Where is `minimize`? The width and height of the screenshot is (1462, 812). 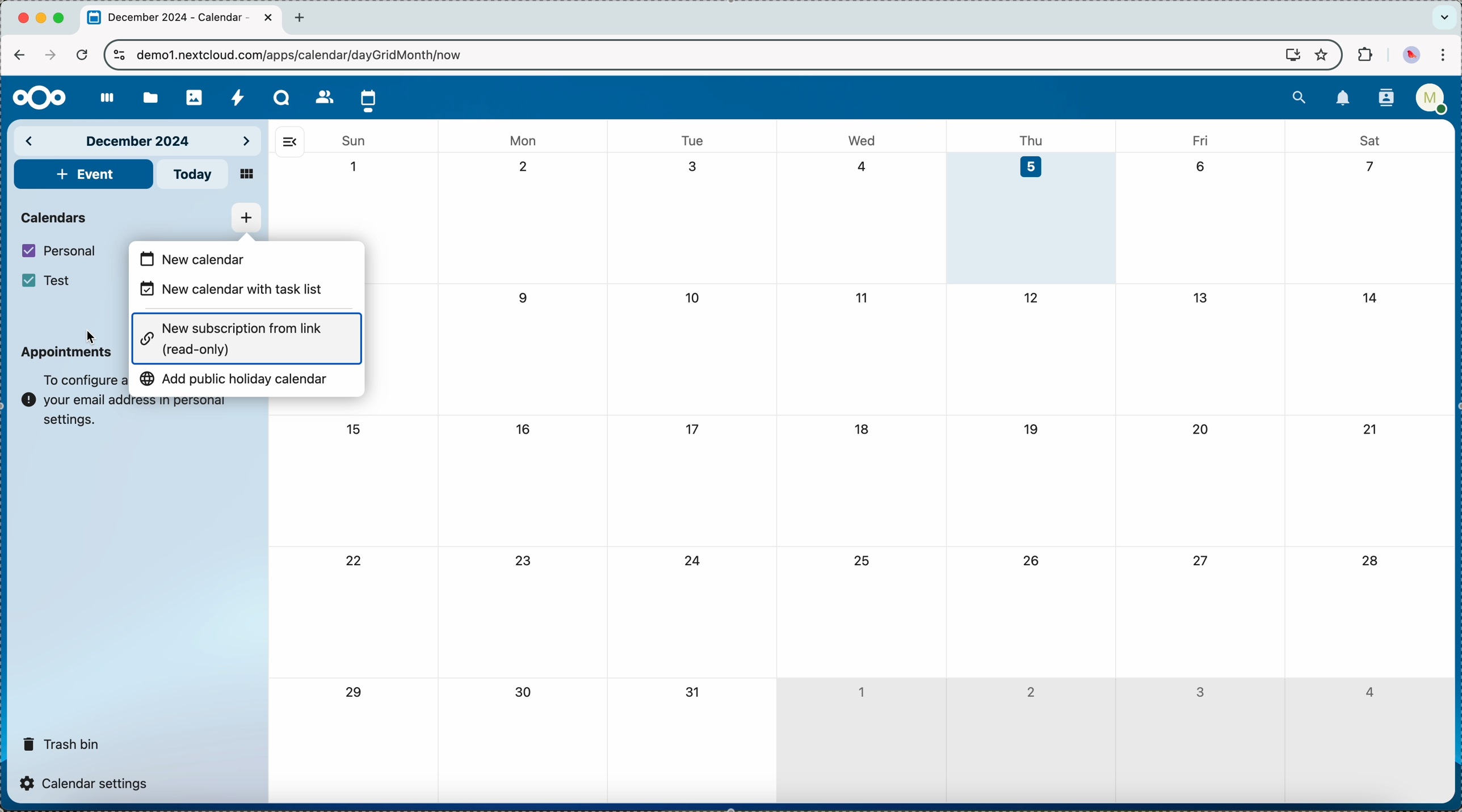 minimize is located at coordinates (43, 19).